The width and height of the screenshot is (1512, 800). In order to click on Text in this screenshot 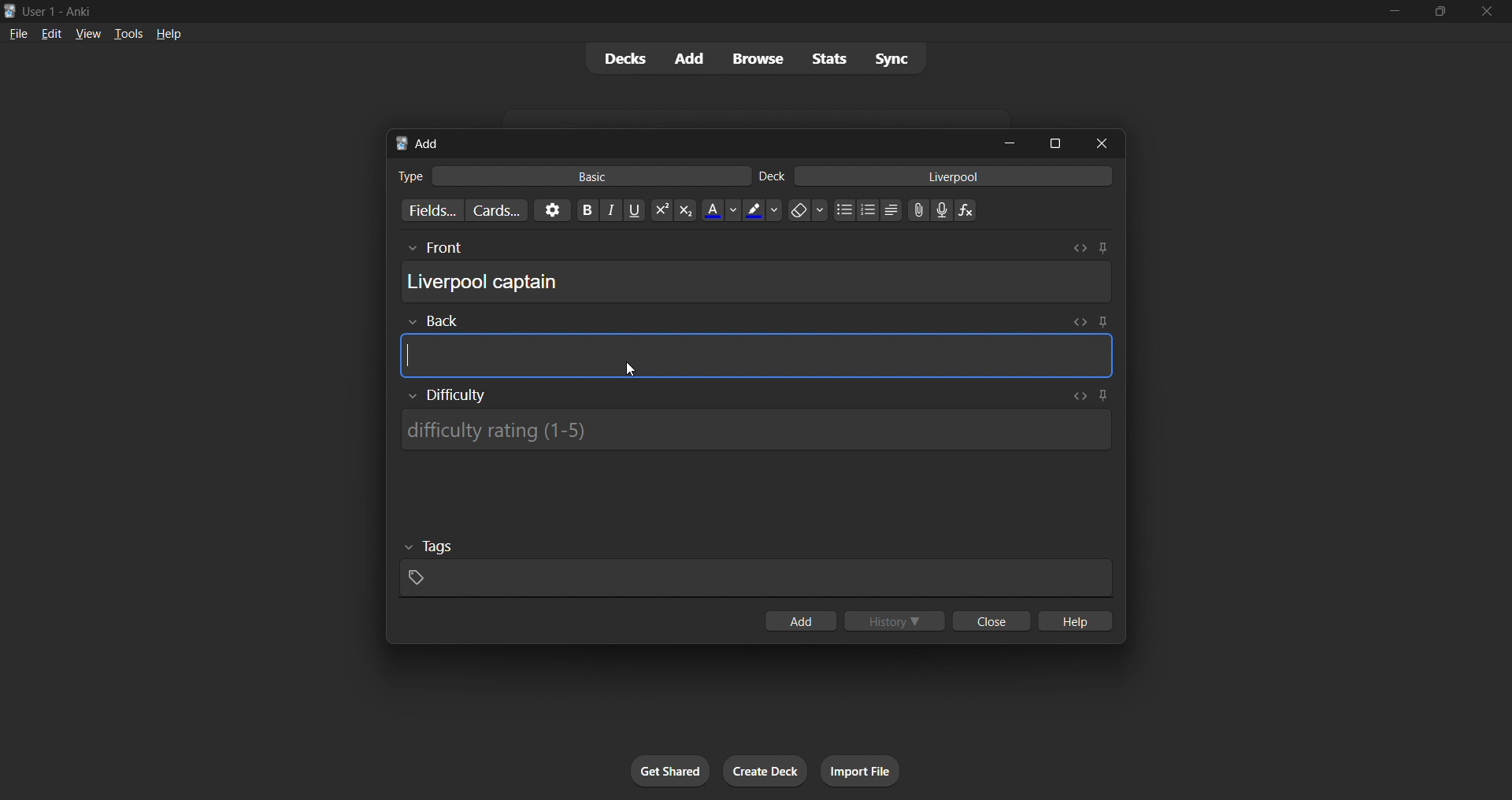, I will do `click(772, 176)`.